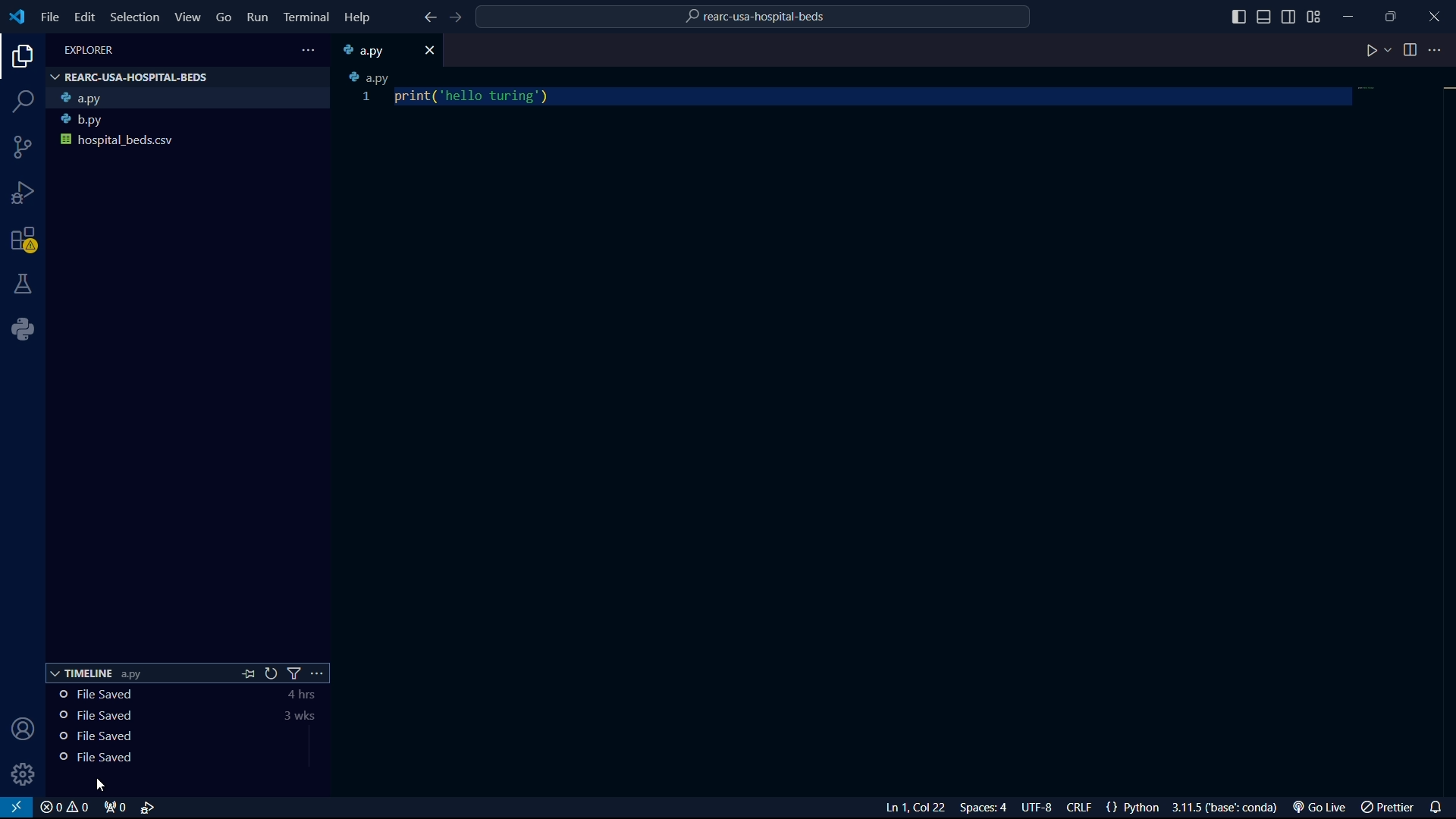 This screenshot has width=1456, height=819. What do you see at coordinates (18, 808) in the screenshot?
I see `view in remote window` at bounding box center [18, 808].